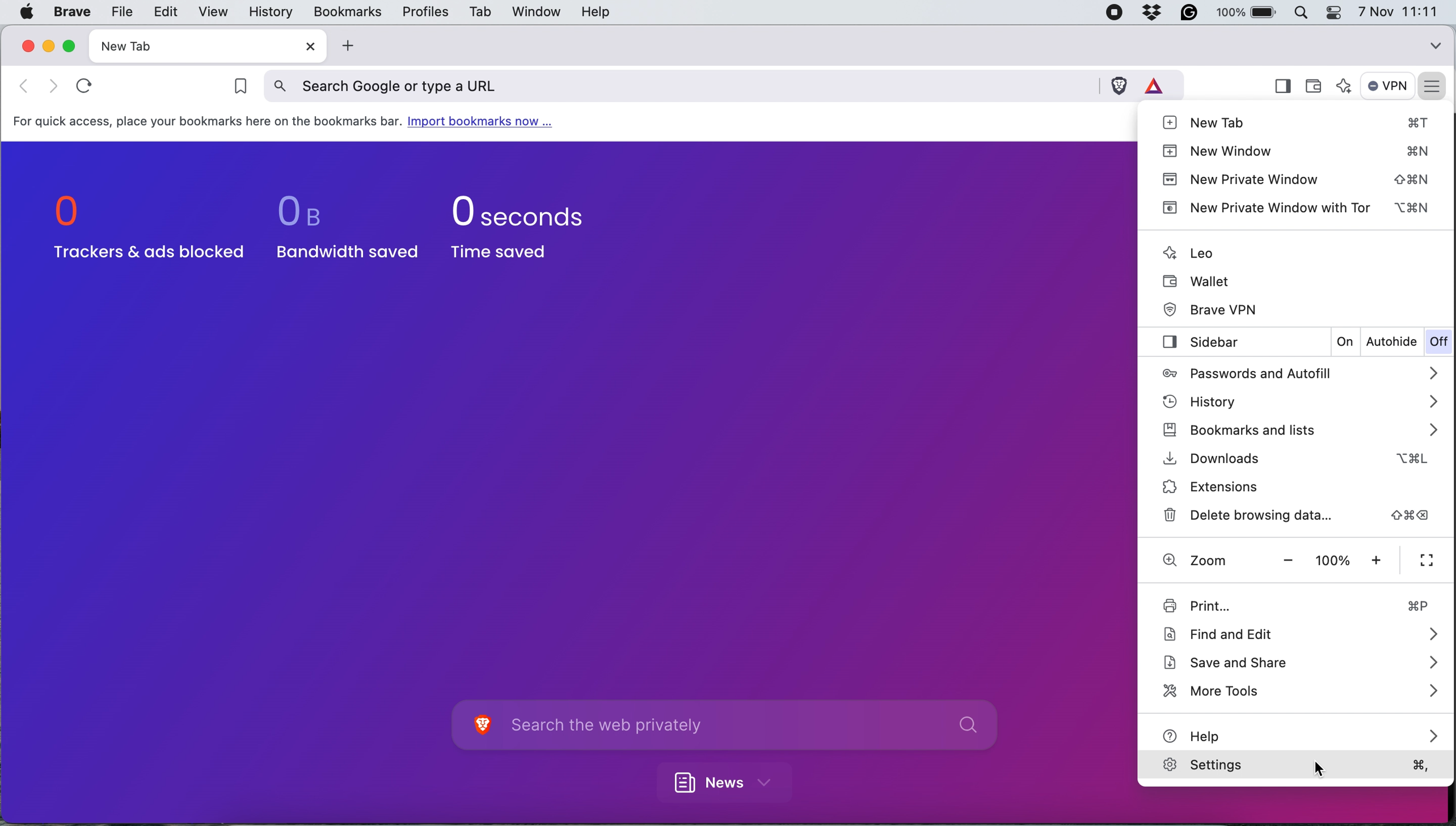 Image resolution: width=1456 pixels, height=826 pixels. Describe the element at coordinates (1333, 560) in the screenshot. I see `100%` at that location.